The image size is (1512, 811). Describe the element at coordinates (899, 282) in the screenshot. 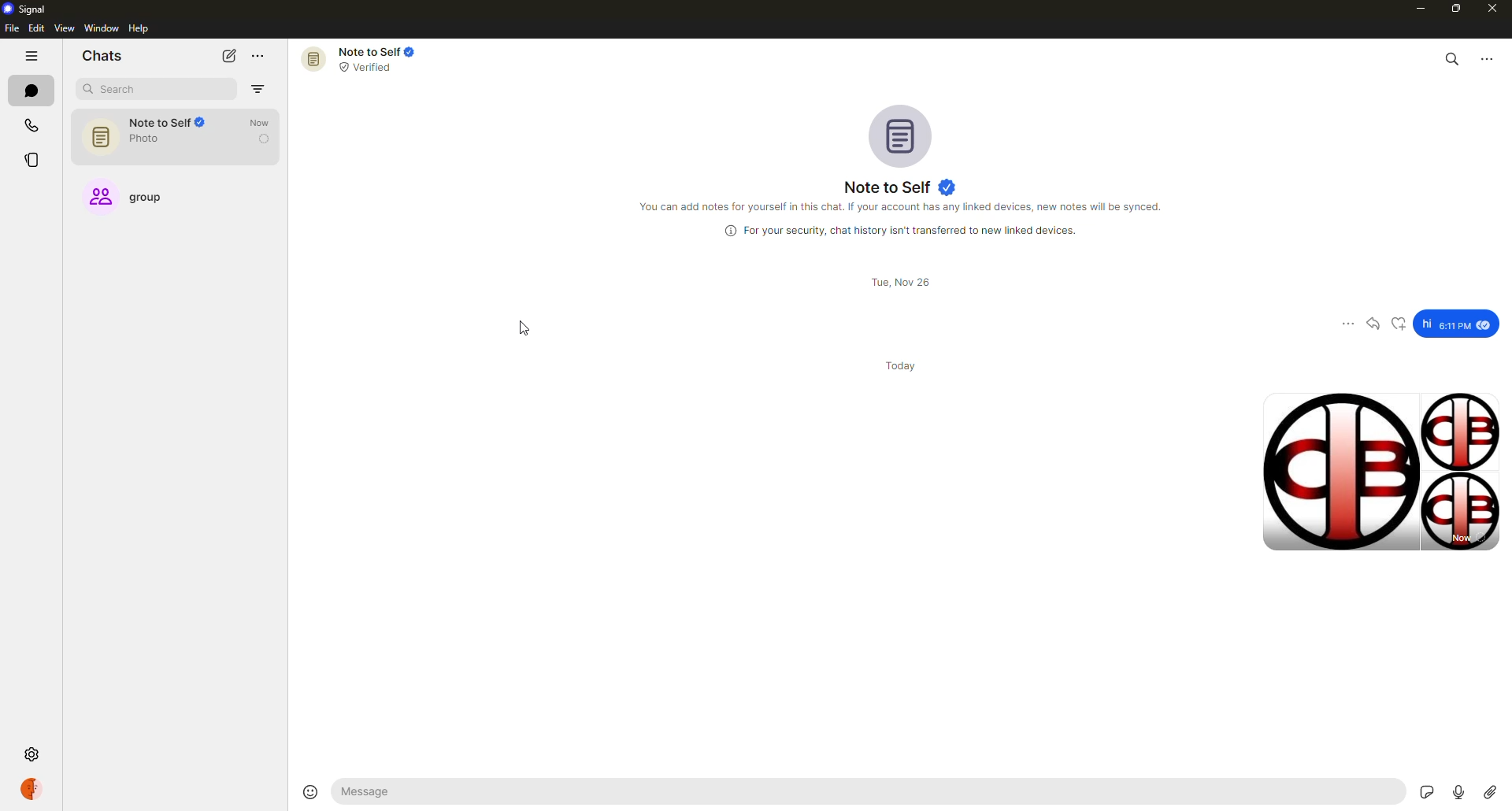

I see `date` at that location.